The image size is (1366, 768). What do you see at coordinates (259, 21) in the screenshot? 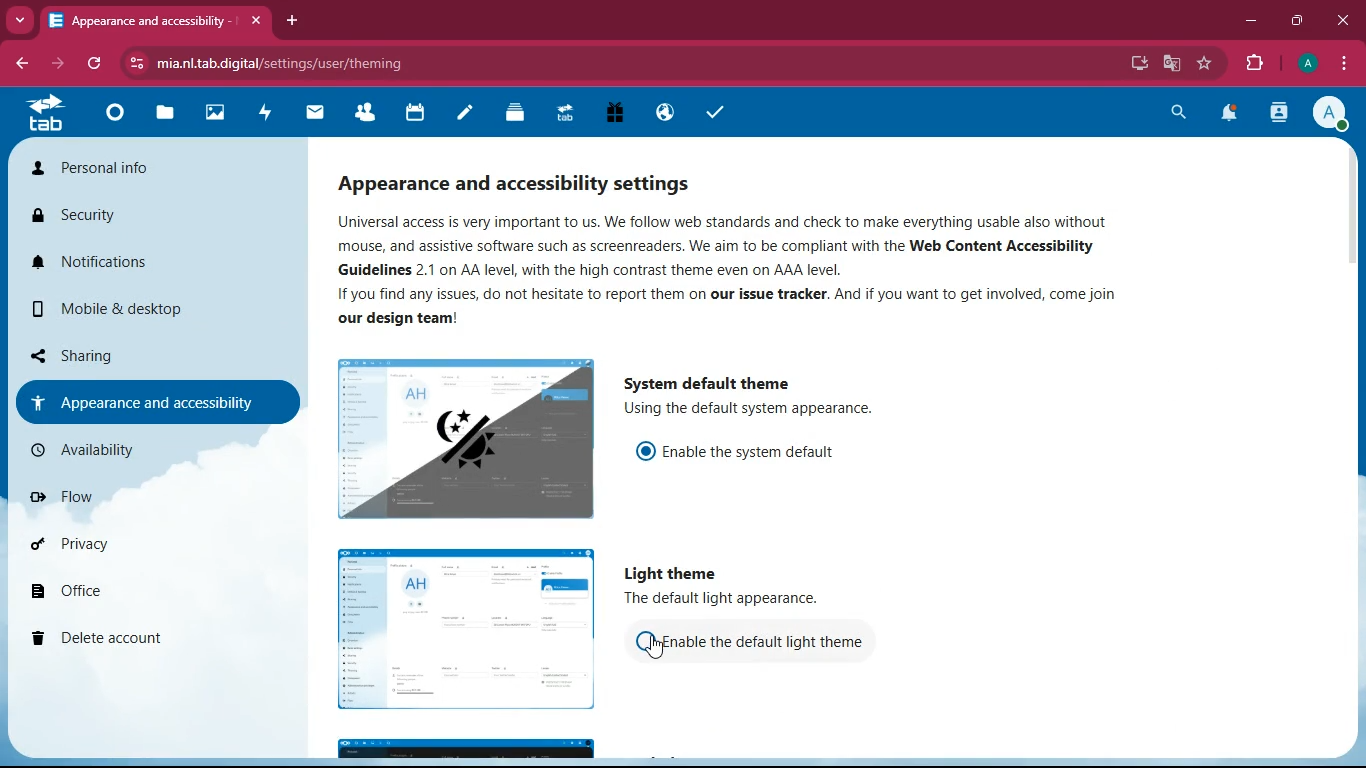
I see `close tab` at bounding box center [259, 21].